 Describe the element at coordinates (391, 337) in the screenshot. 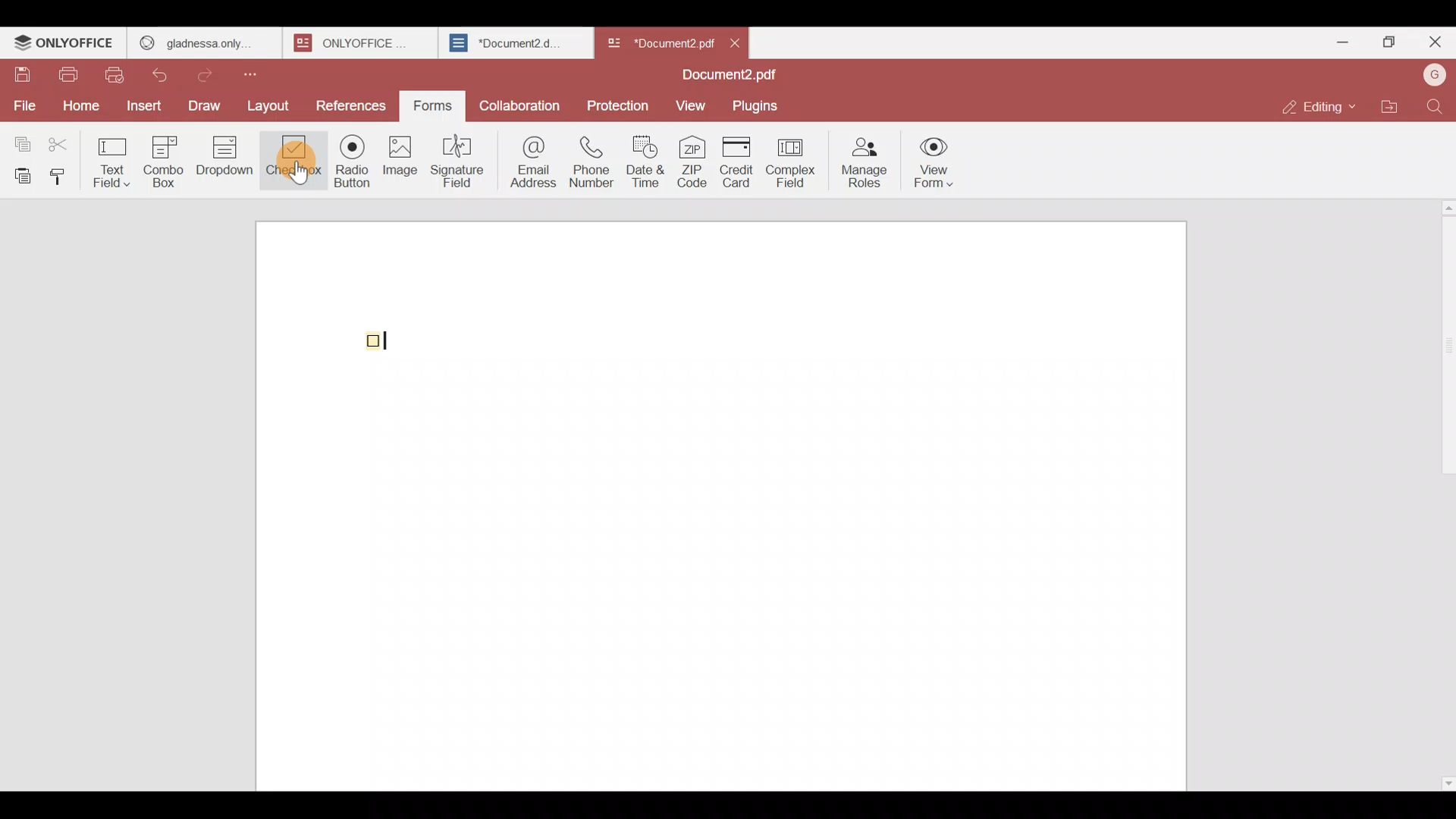

I see `Cursor` at that location.